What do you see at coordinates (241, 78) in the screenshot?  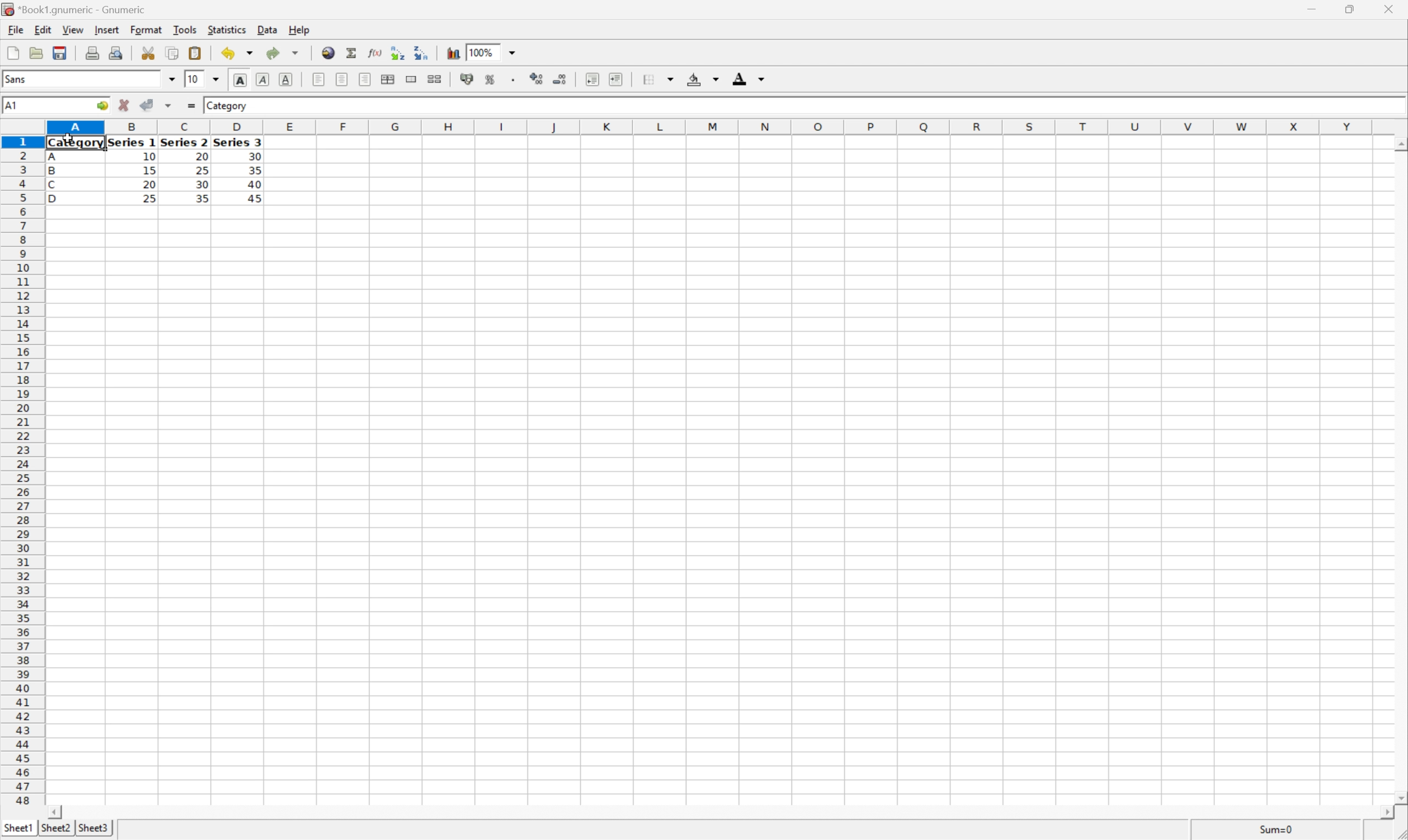 I see `Bold` at bounding box center [241, 78].